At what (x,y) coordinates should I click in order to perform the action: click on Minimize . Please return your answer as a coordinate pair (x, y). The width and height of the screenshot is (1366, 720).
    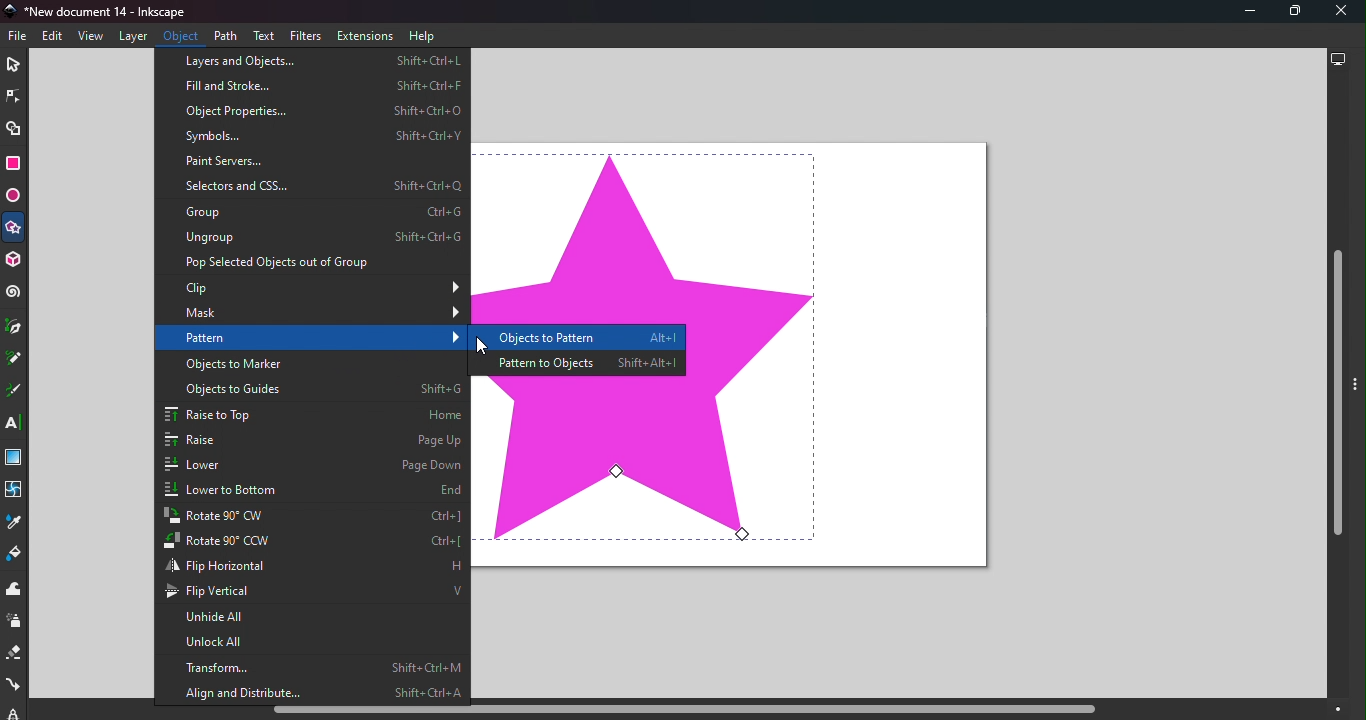
    Looking at the image, I should click on (1241, 12).